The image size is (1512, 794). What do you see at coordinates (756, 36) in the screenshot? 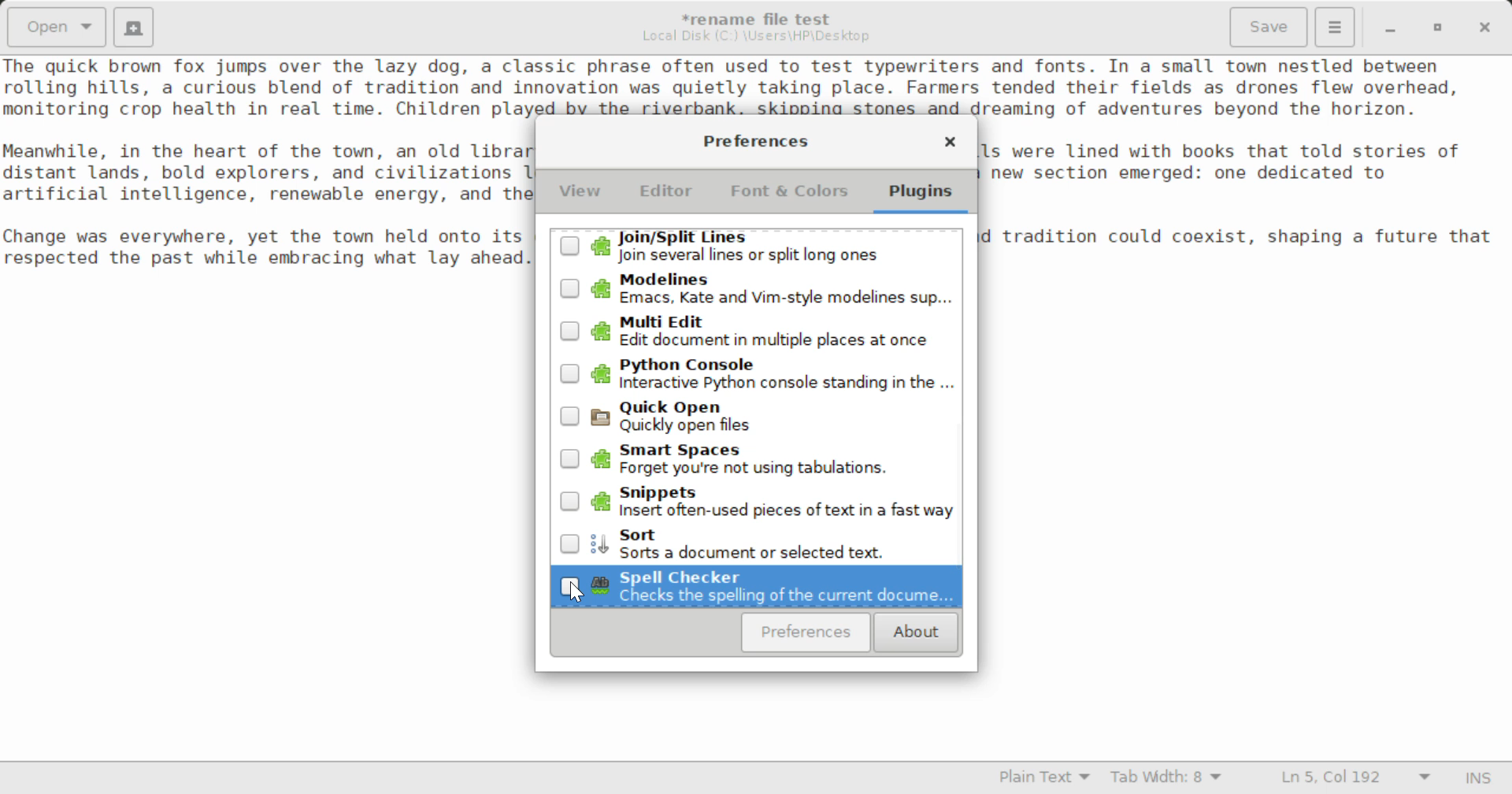
I see `File Location` at bounding box center [756, 36].